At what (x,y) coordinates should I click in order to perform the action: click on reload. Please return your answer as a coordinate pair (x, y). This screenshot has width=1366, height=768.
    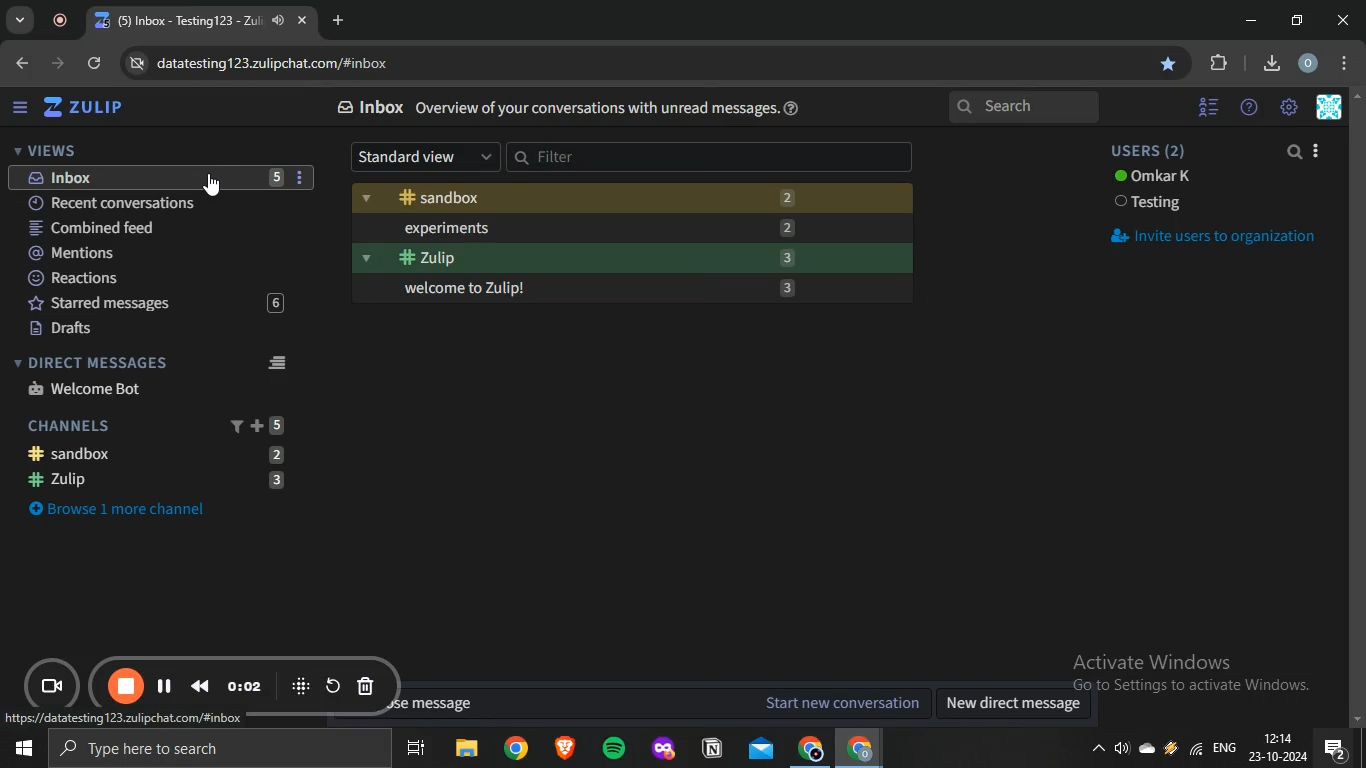
    Looking at the image, I should click on (96, 65).